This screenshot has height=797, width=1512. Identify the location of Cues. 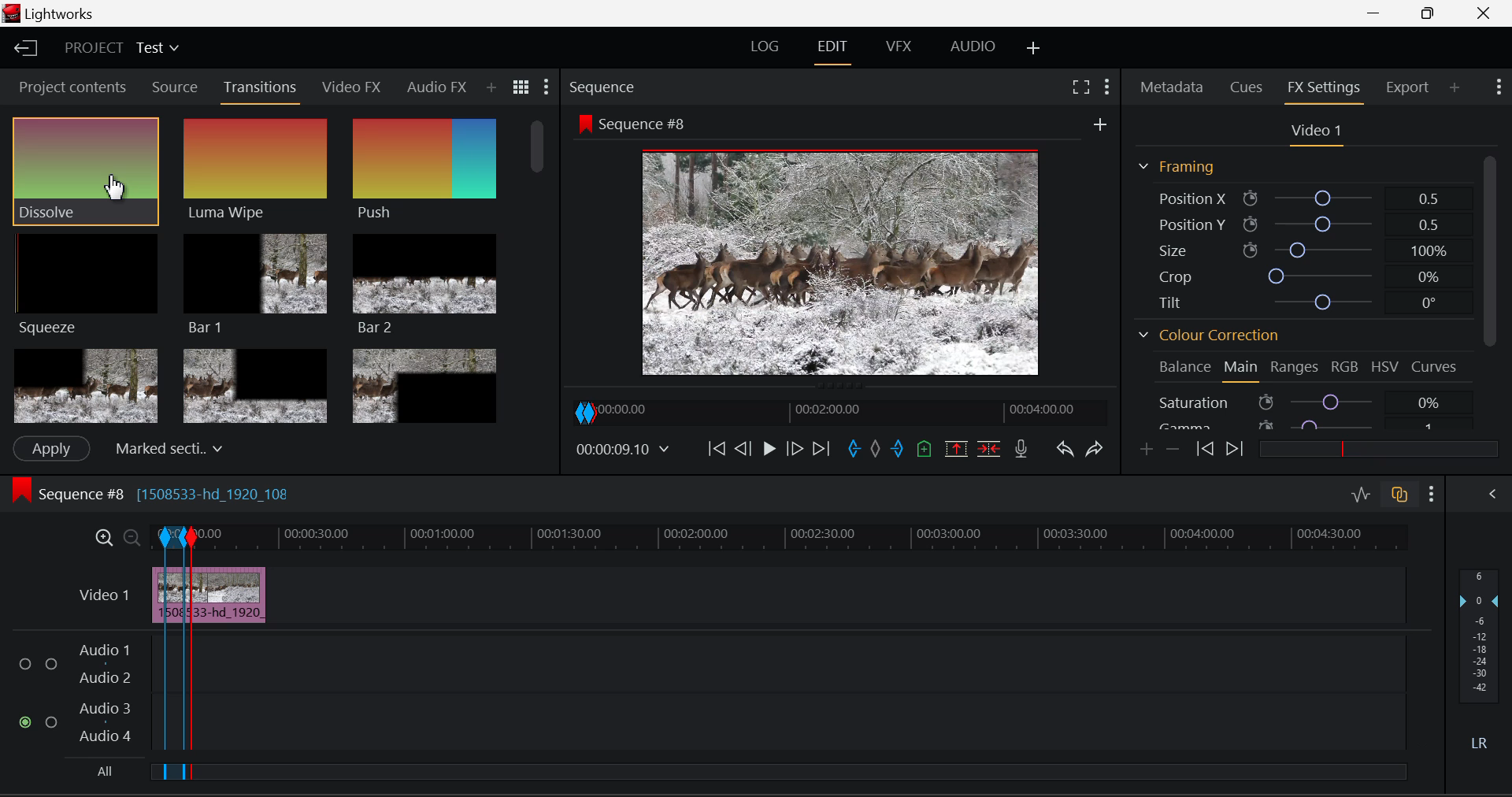
(1244, 88).